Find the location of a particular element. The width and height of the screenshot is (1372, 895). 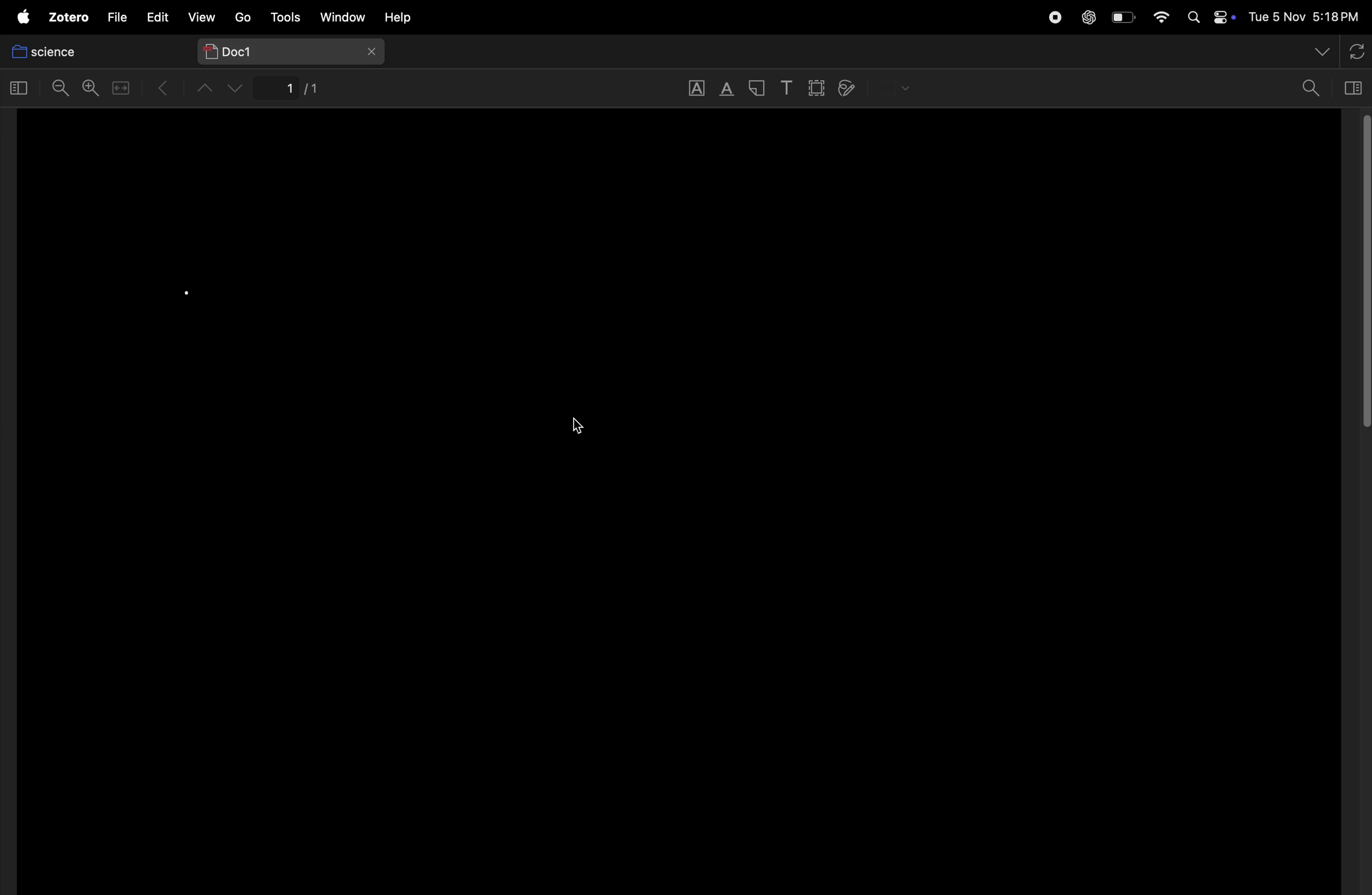

underline is located at coordinates (729, 89).